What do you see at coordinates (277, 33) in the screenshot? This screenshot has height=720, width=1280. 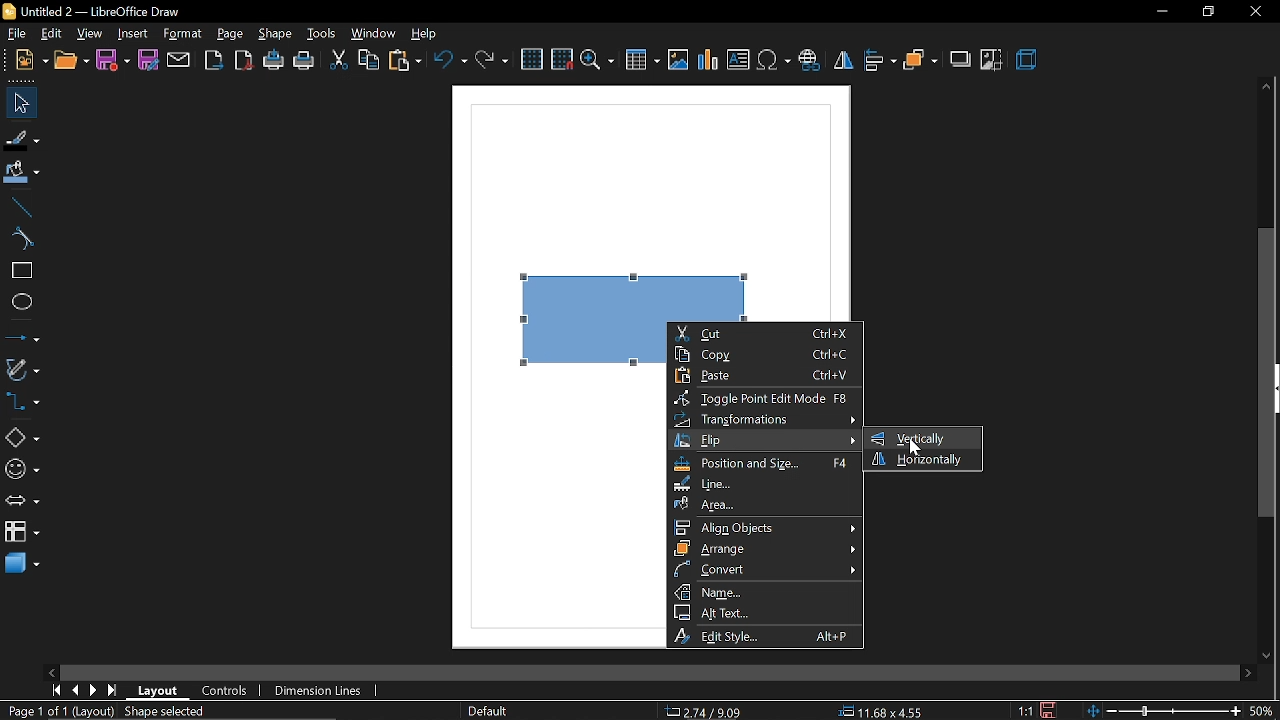 I see `shape` at bounding box center [277, 33].